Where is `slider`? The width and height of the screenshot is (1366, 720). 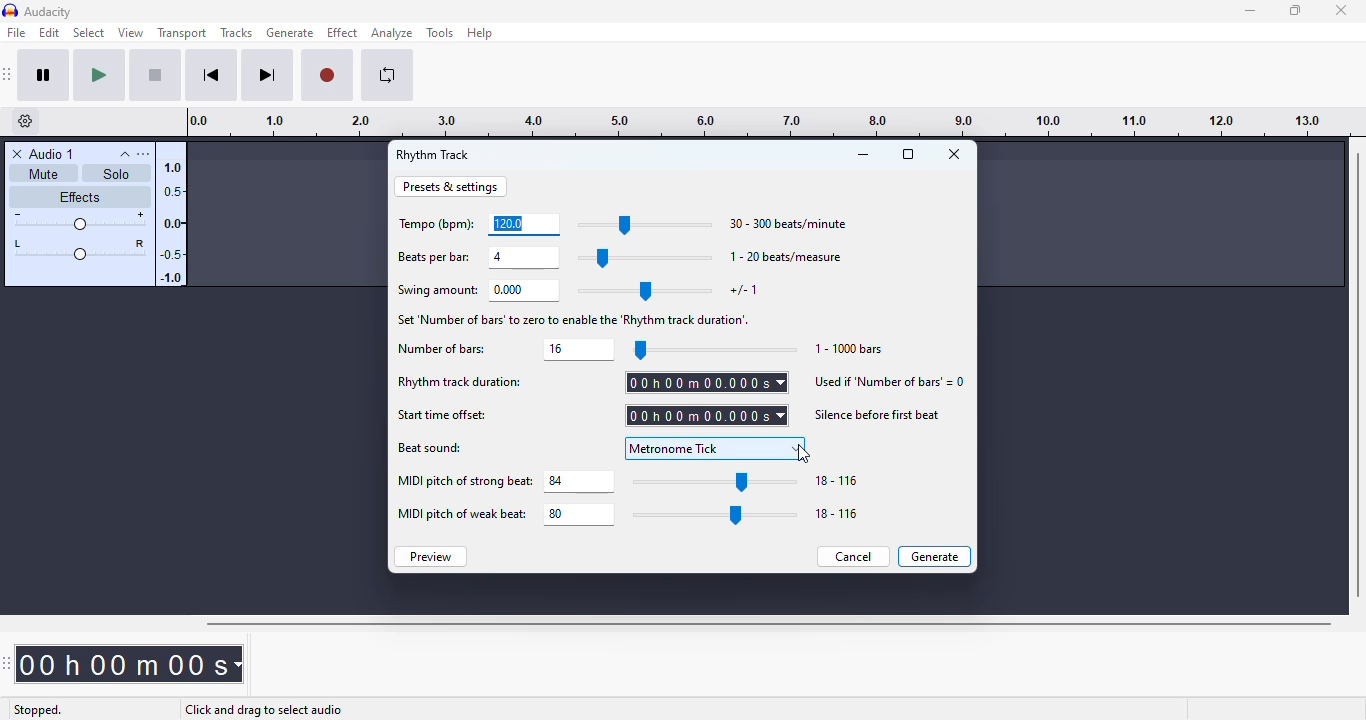 slider is located at coordinates (715, 515).